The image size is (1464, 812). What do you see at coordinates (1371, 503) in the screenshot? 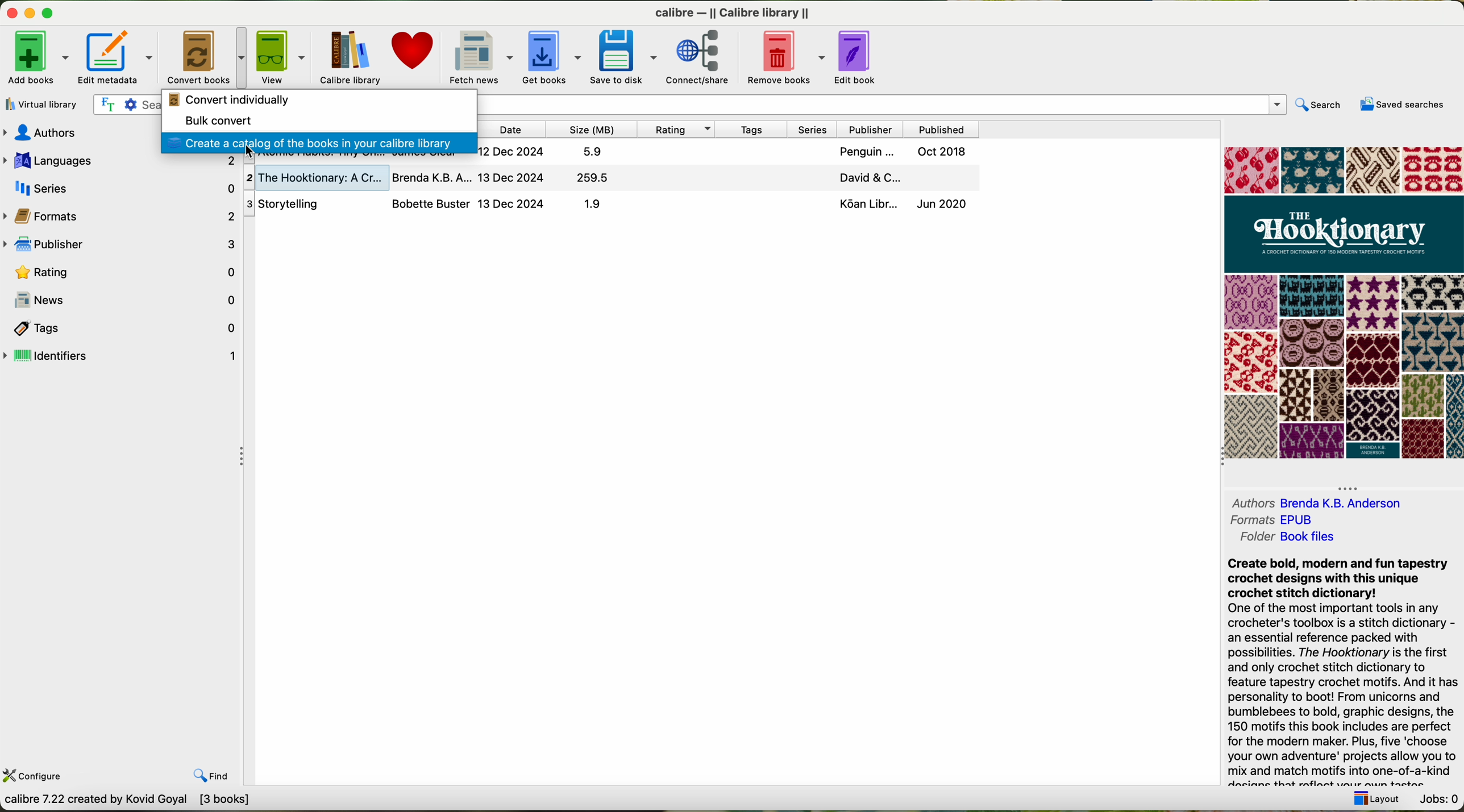
I see `Brenda K.B Anderson` at bounding box center [1371, 503].